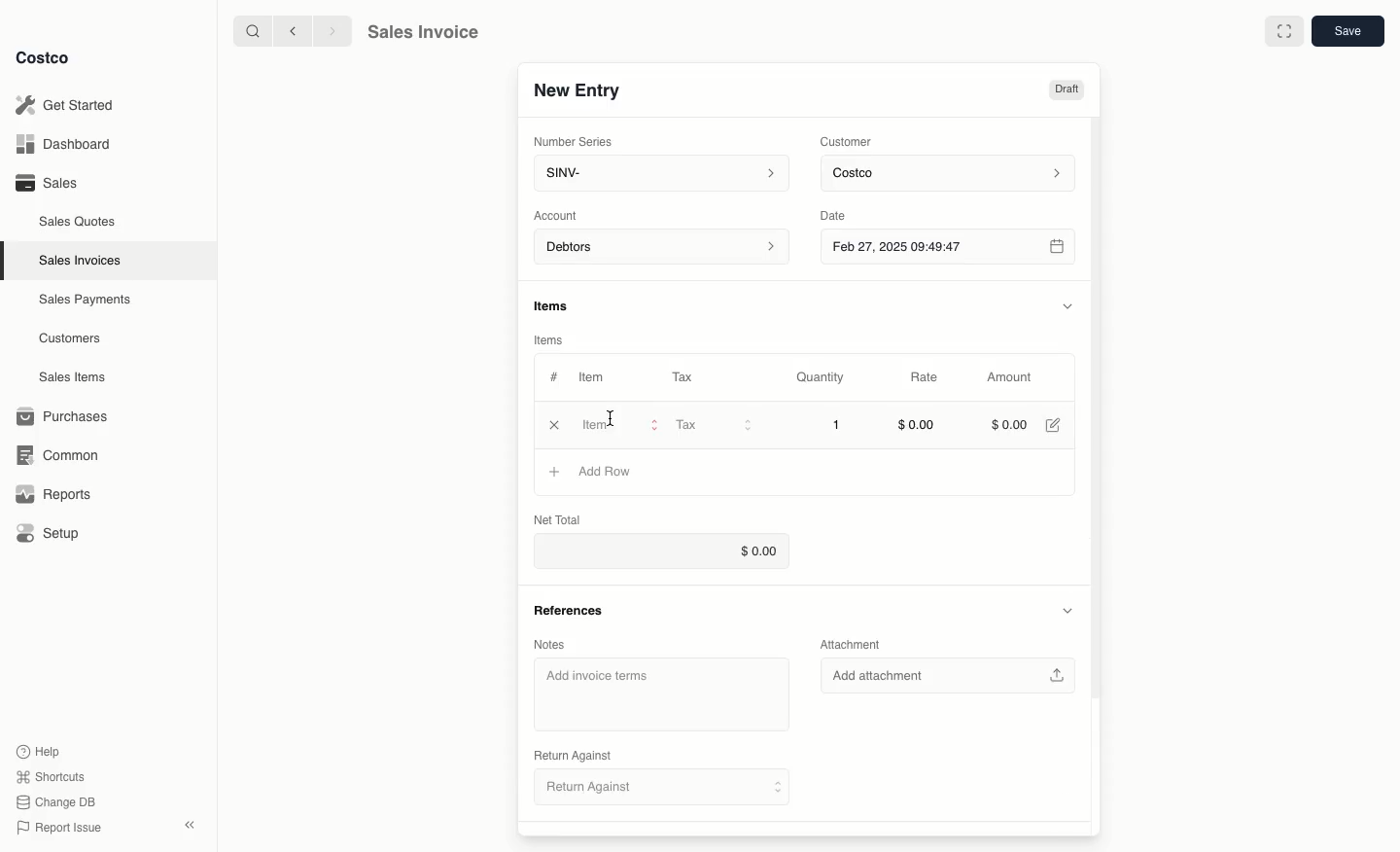 The width and height of the screenshot is (1400, 852). What do you see at coordinates (1283, 31) in the screenshot?
I see `Full width toggle` at bounding box center [1283, 31].